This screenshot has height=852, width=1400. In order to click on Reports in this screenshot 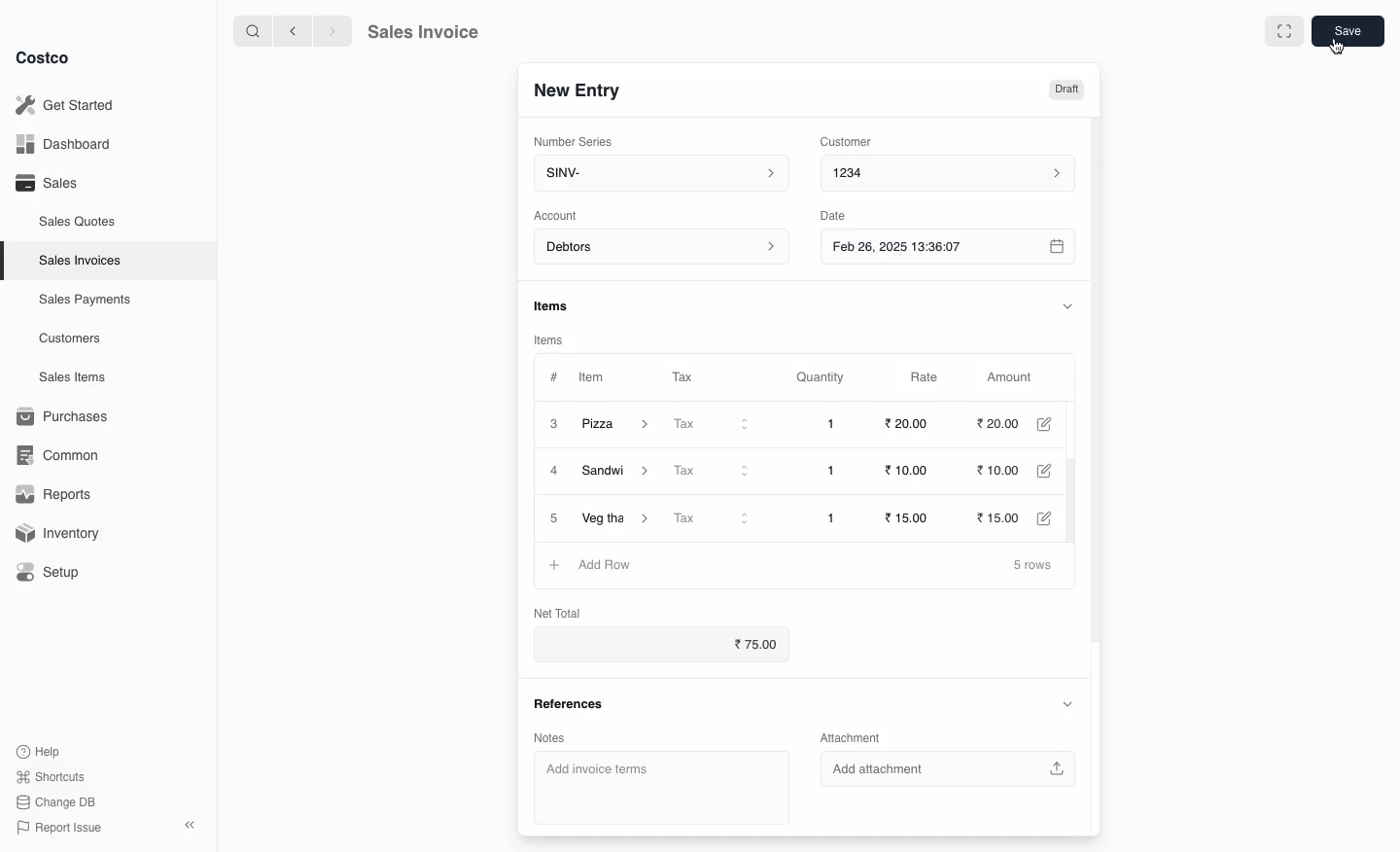, I will do `click(54, 496)`.